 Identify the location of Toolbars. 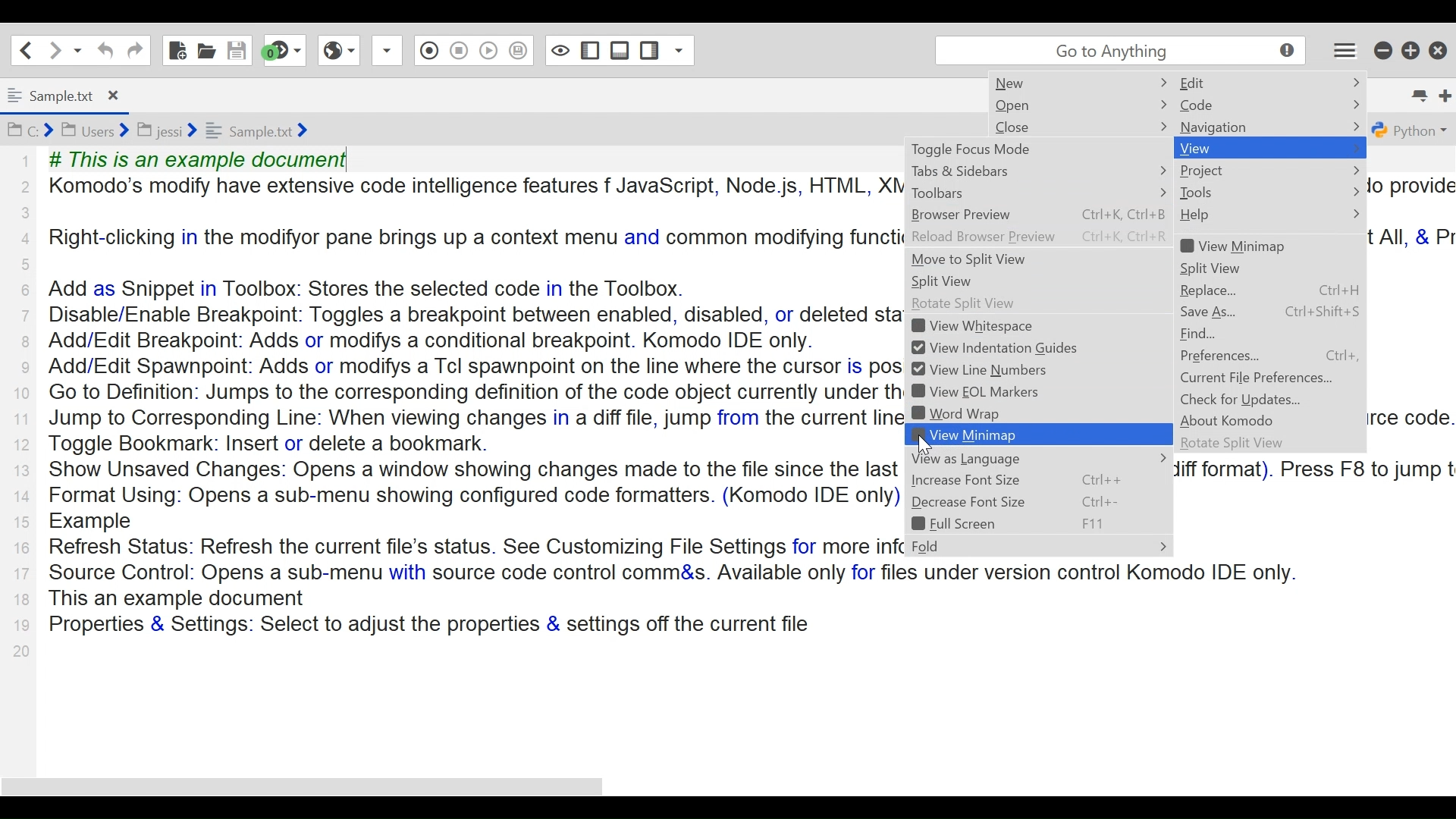
(1038, 193).